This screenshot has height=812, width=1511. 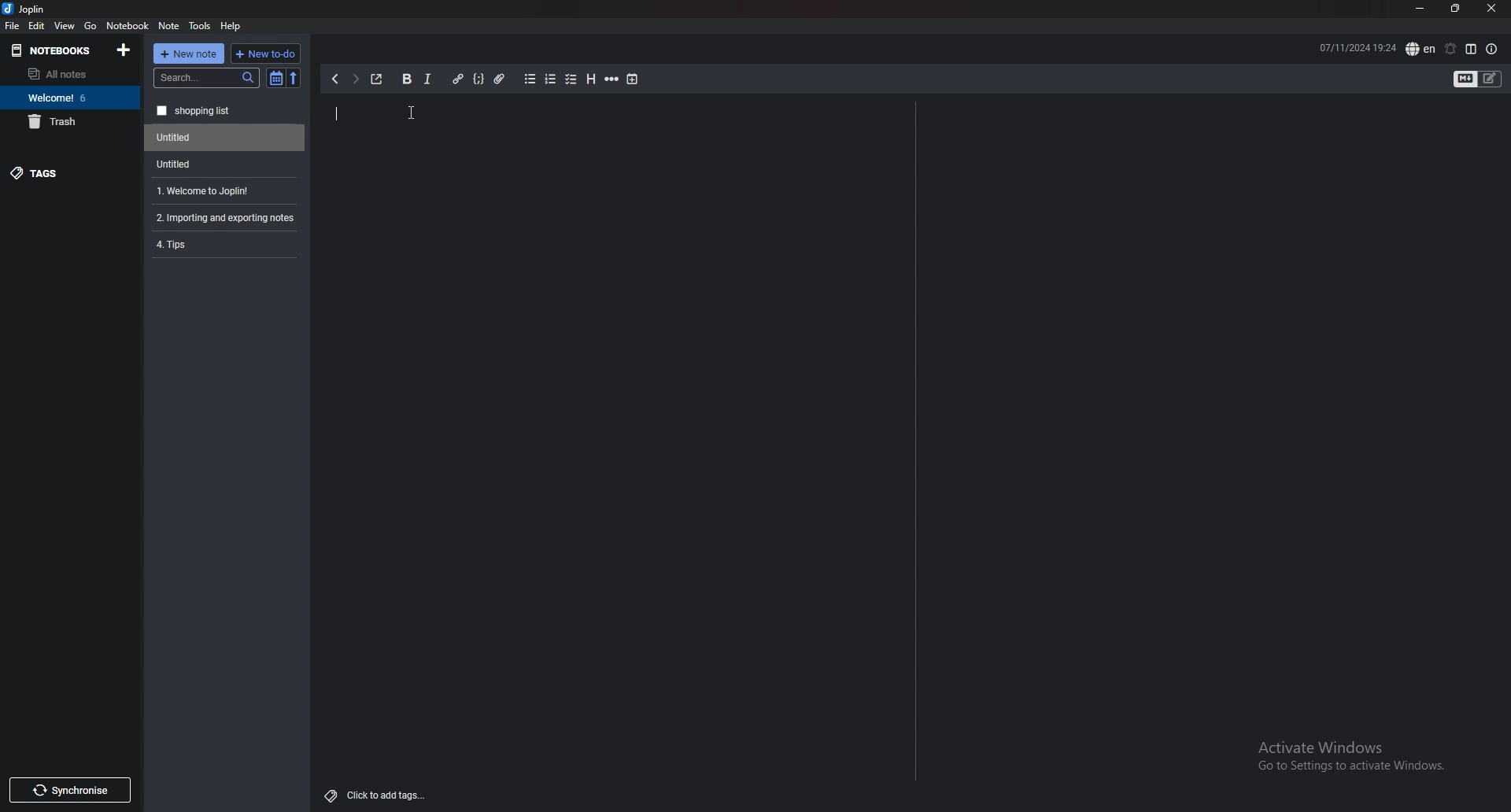 I want to click on Welcome, so click(x=69, y=97).